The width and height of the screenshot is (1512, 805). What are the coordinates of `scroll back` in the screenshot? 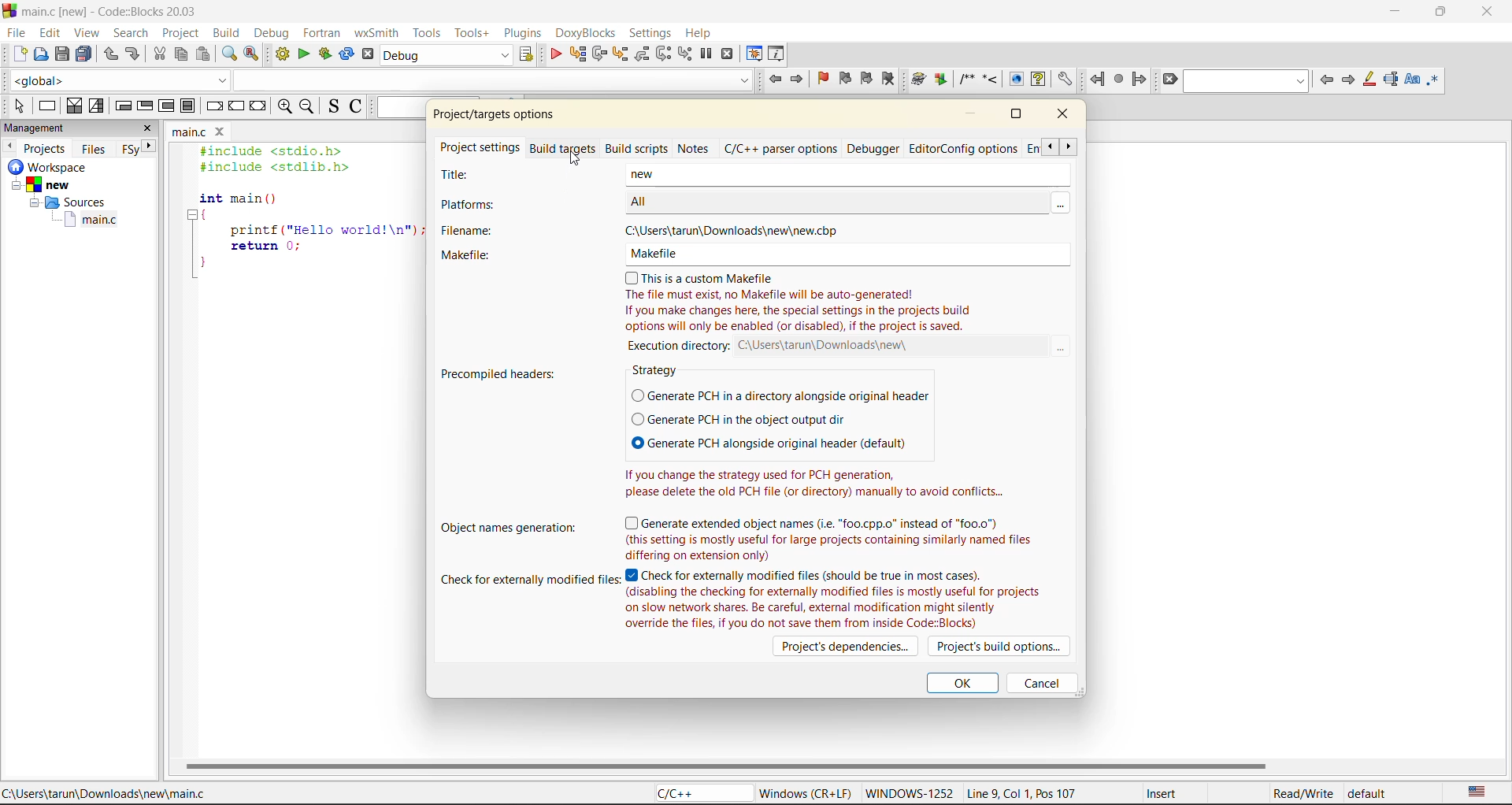 It's located at (1047, 147).